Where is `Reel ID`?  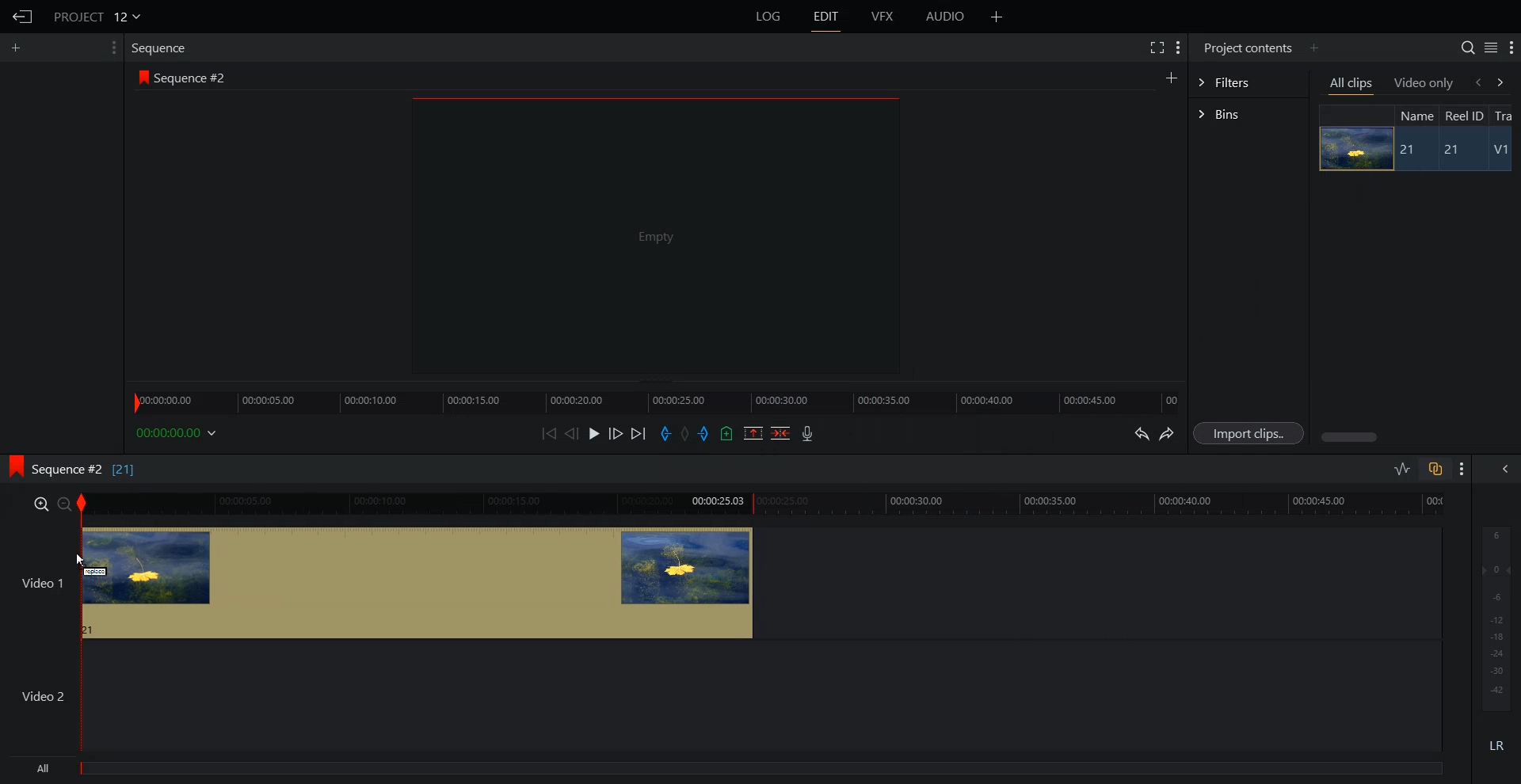
Reel ID is located at coordinates (1463, 116).